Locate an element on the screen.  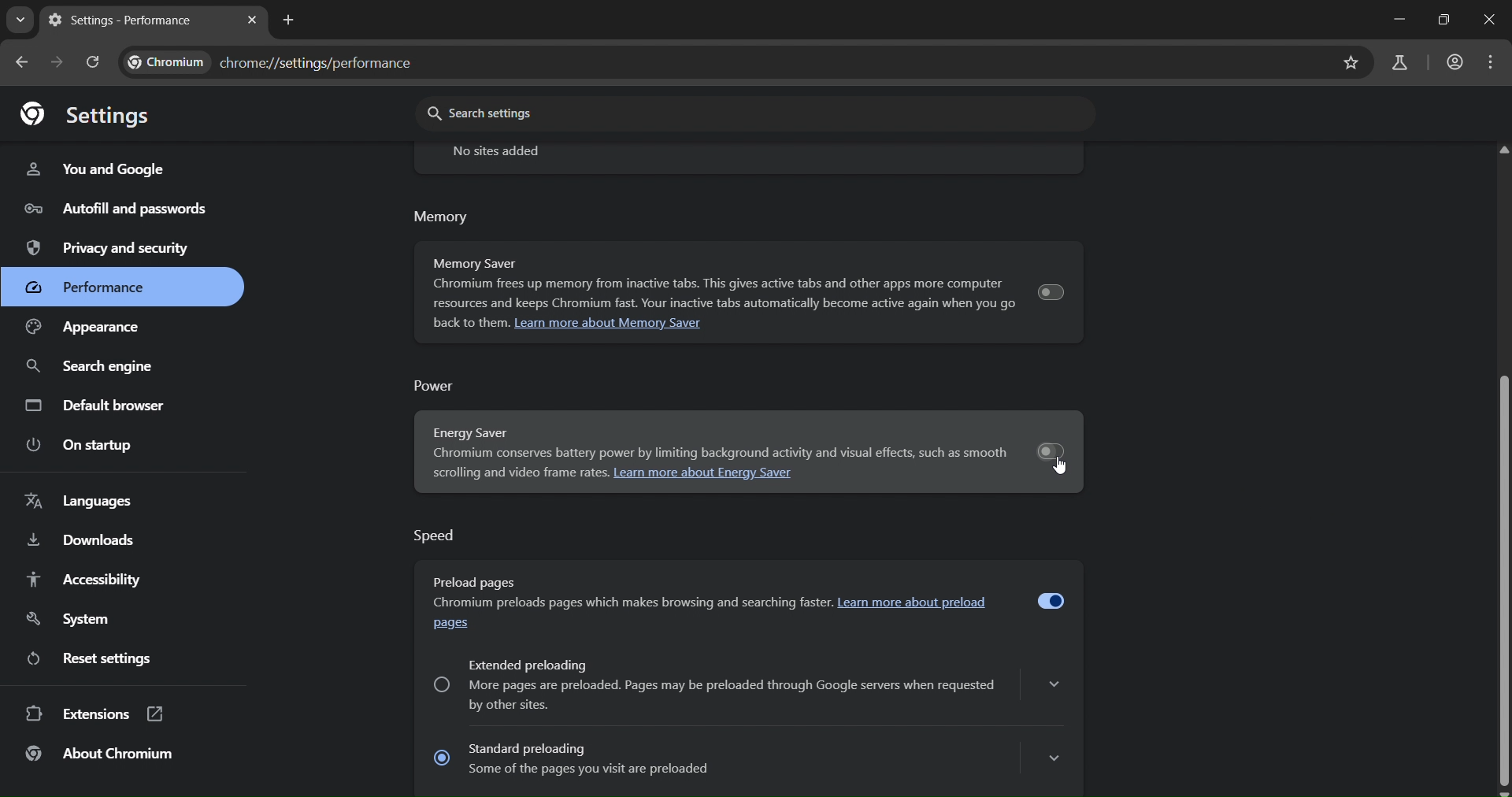
reload is located at coordinates (98, 61).